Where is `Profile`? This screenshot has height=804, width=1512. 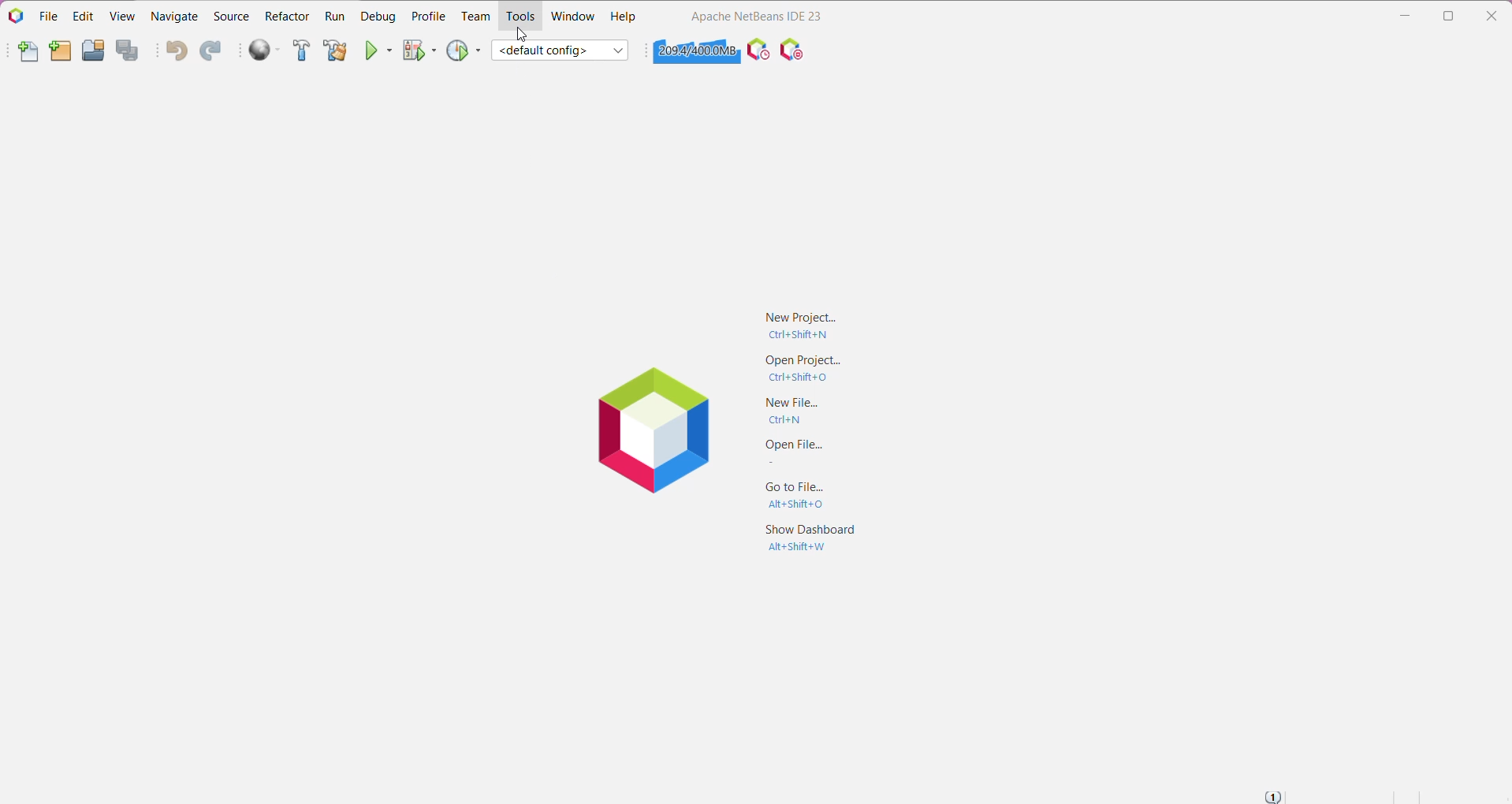 Profile is located at coordinates (429, 16).